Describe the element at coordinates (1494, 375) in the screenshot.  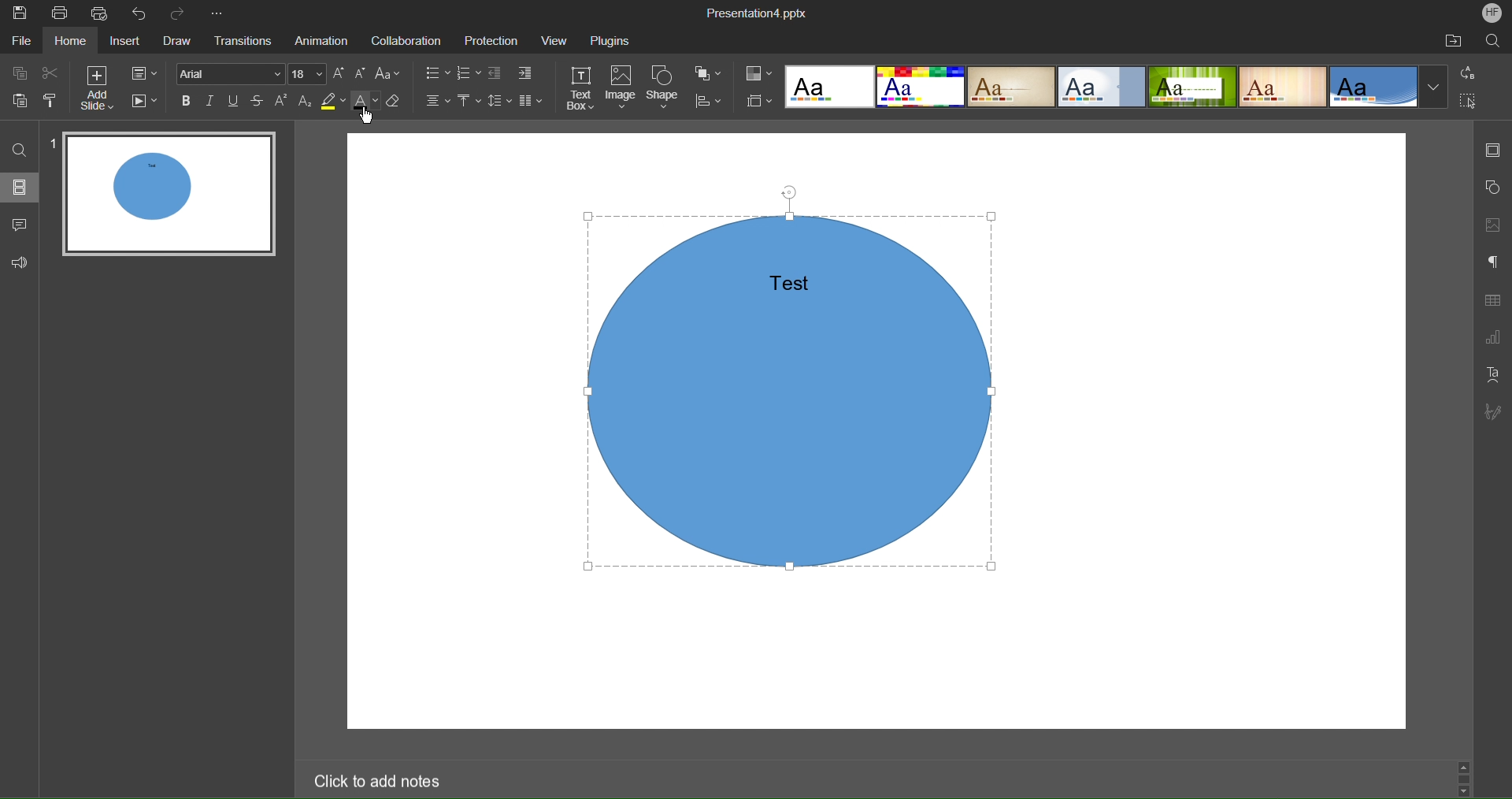
I see `Text Art` at that location.